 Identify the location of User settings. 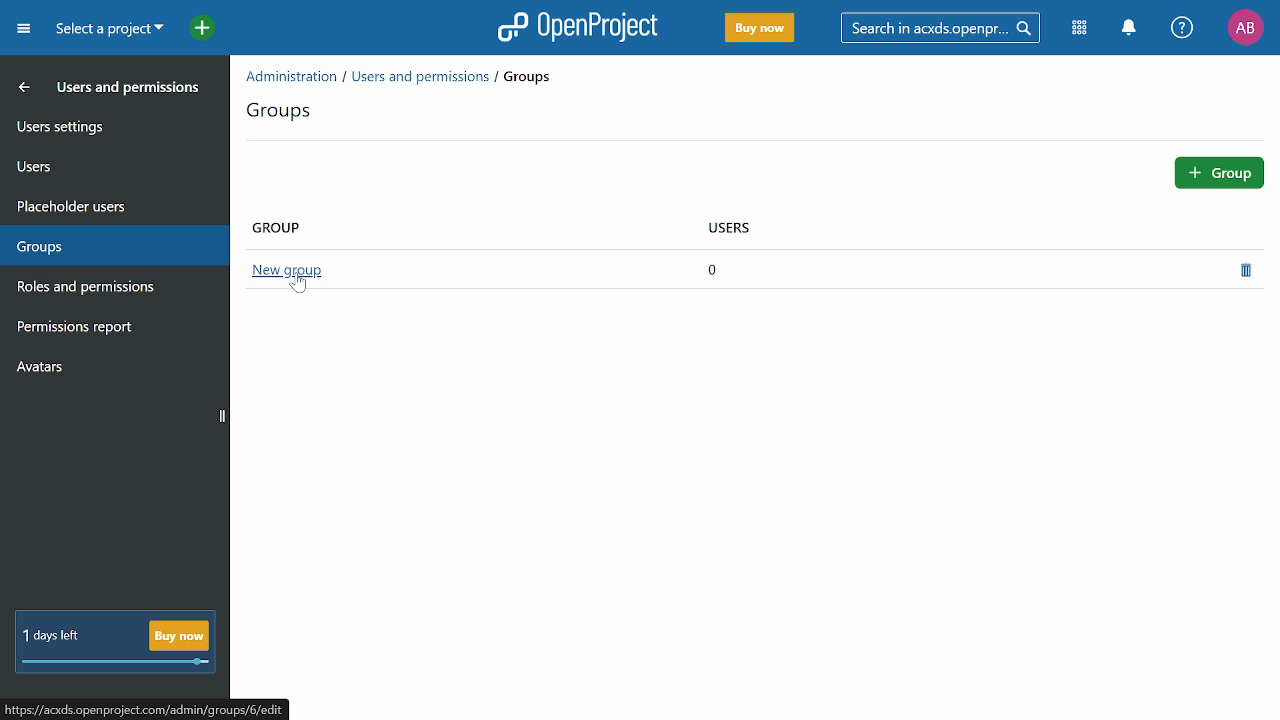
(113, 125).